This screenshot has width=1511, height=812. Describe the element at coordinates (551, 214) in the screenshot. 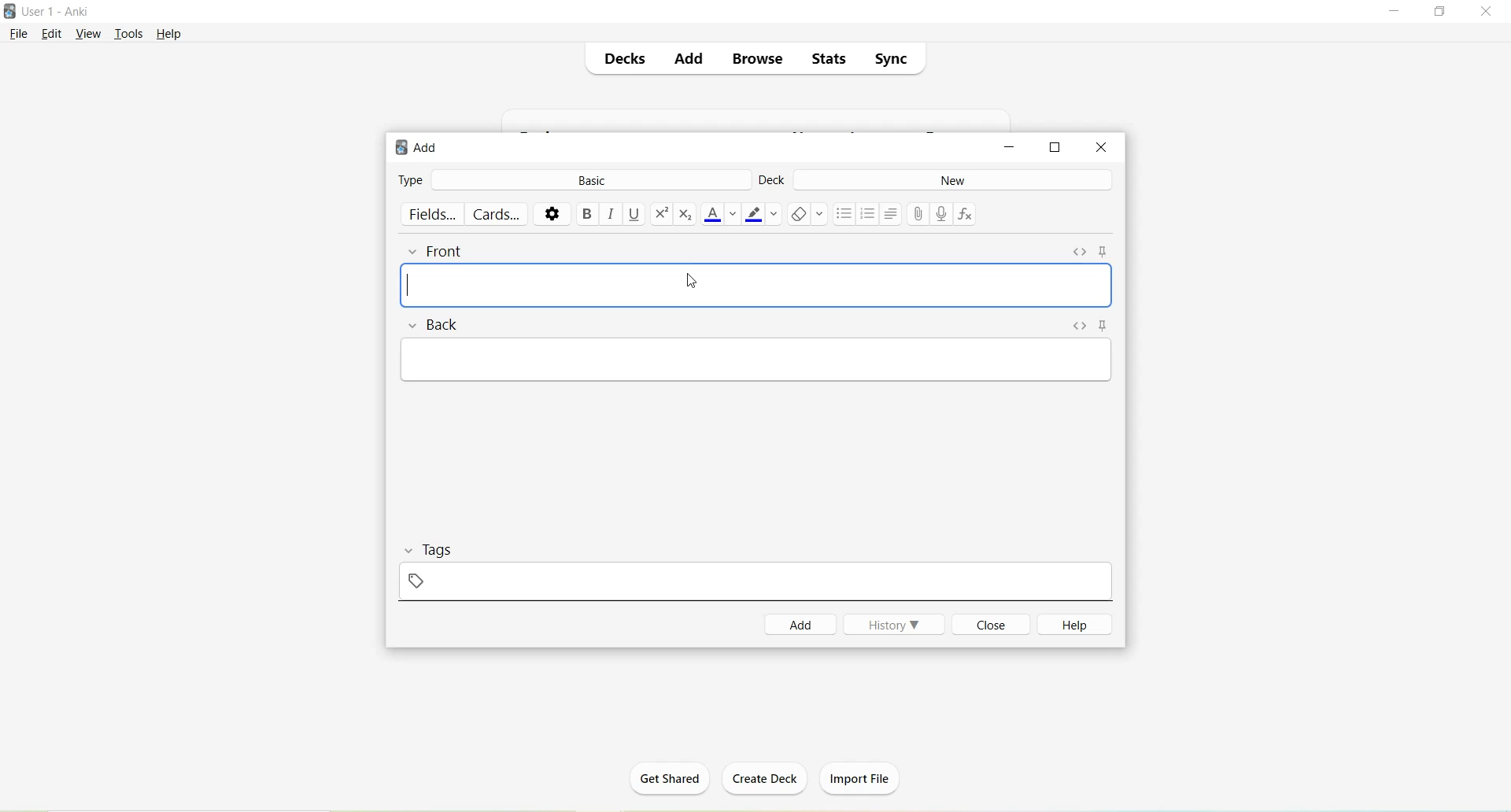

I see `Options` at that location.